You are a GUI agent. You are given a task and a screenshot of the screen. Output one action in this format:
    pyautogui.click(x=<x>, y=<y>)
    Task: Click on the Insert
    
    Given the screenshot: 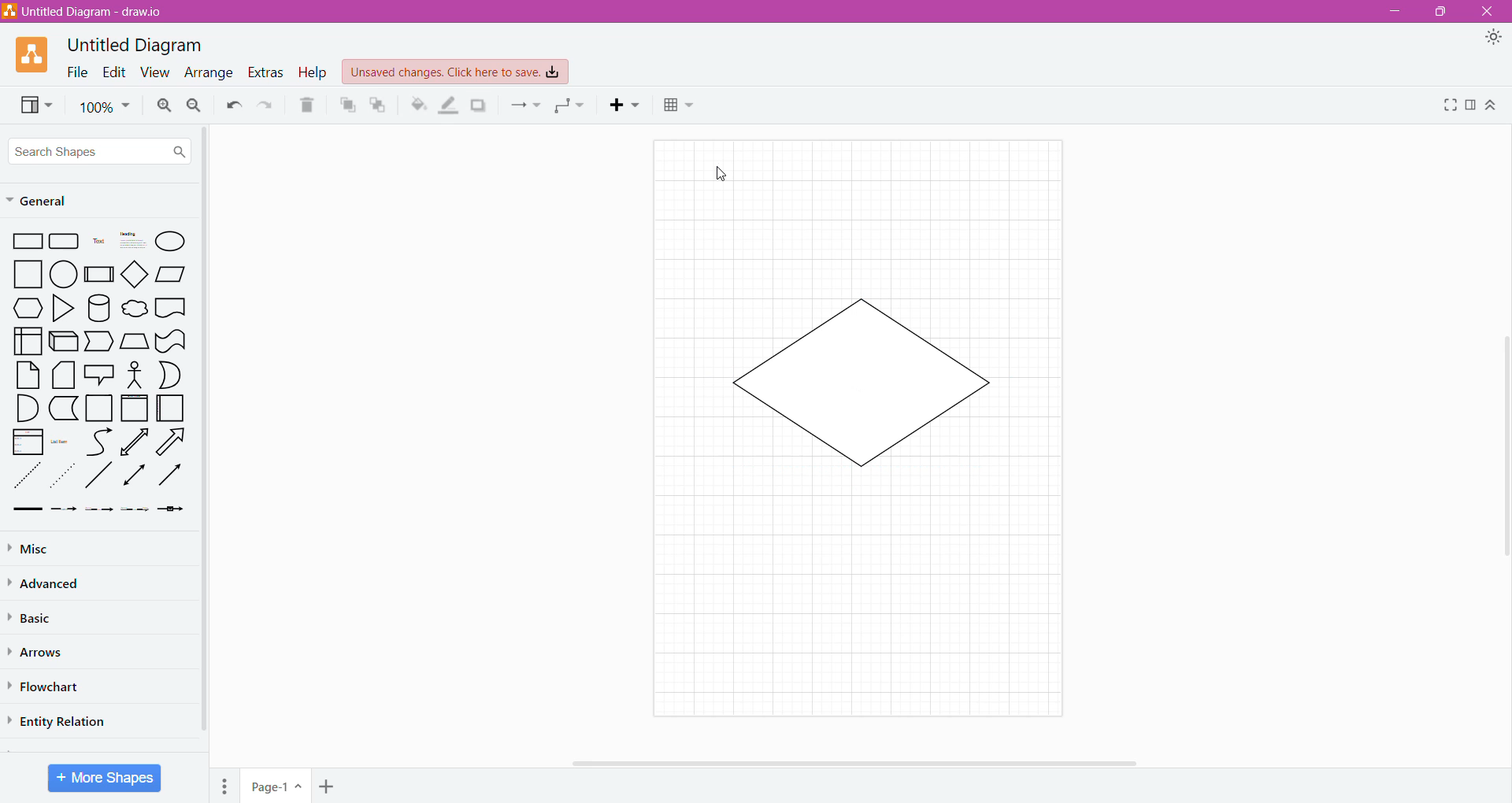 What is the action you would take?
    pyautogui.click(x=628, y=105)
    